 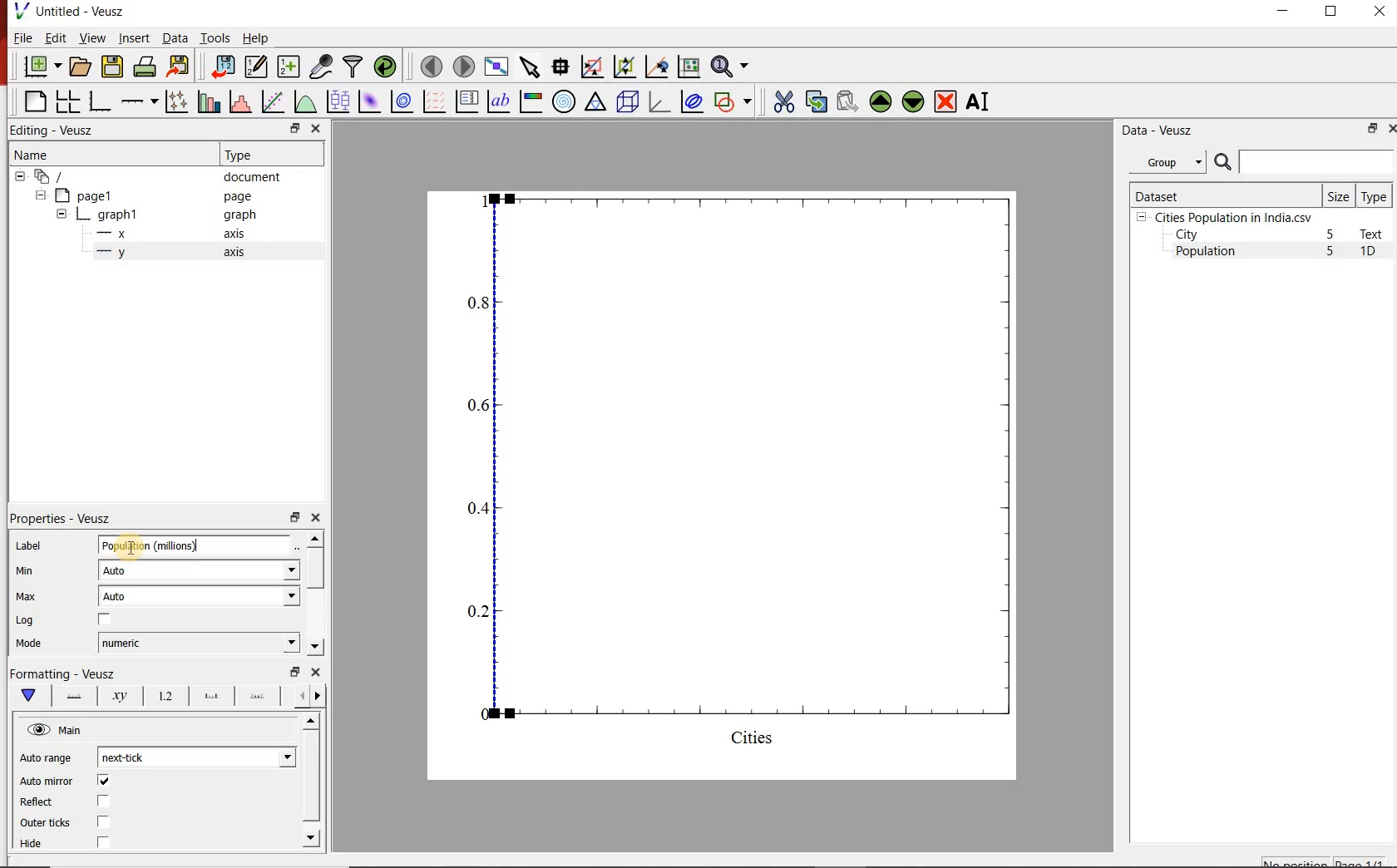 What do you see at coordinates (1232, 217) in the screenshot?
I see `Cities Population in India.csv` at bounding box center [1232, 217].